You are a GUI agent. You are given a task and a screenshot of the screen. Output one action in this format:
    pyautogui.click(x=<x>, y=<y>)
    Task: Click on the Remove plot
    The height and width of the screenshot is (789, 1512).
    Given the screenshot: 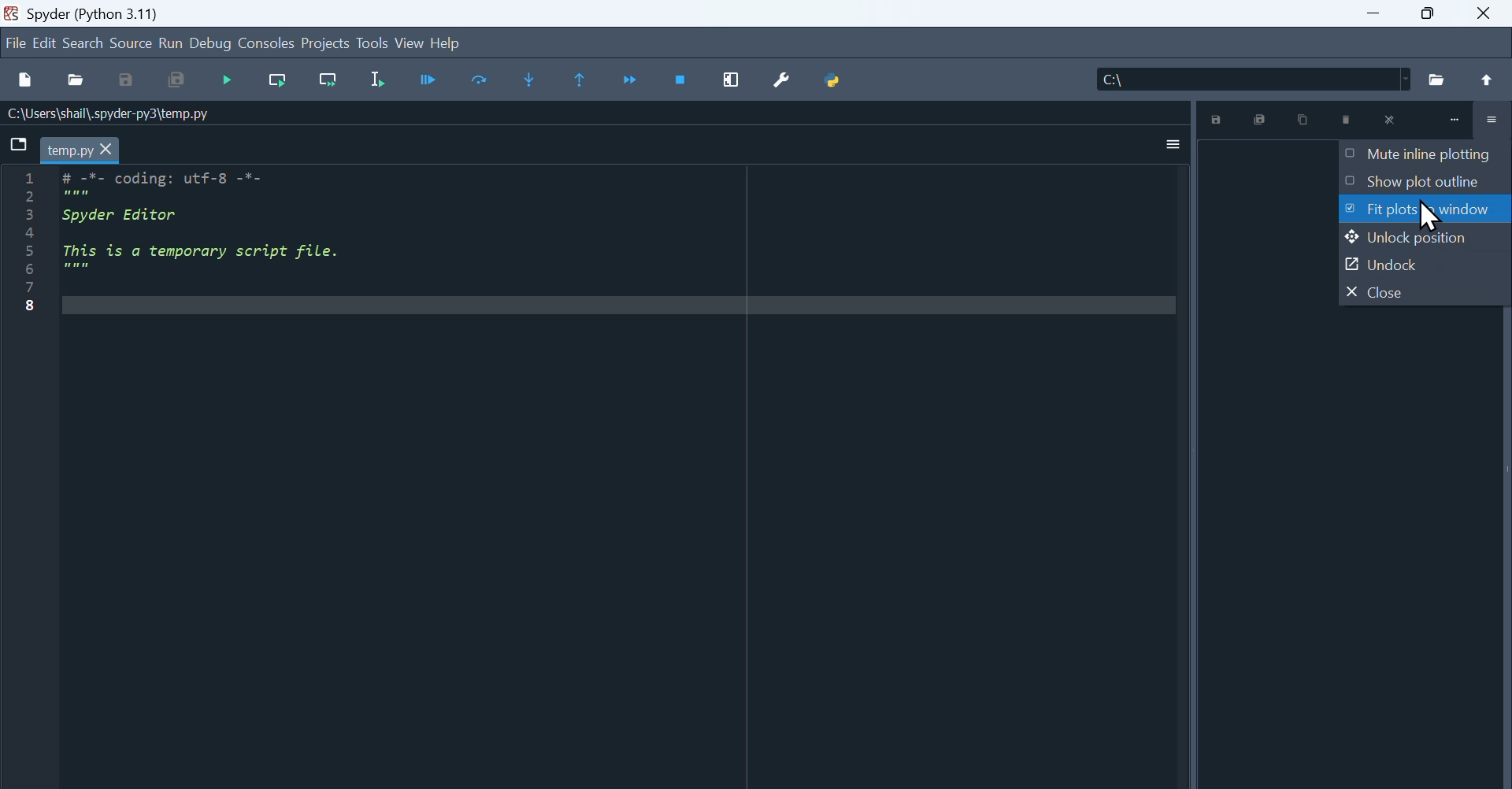 What is the action you would take?
    pyautogui.click(x=1347, y=119)
    